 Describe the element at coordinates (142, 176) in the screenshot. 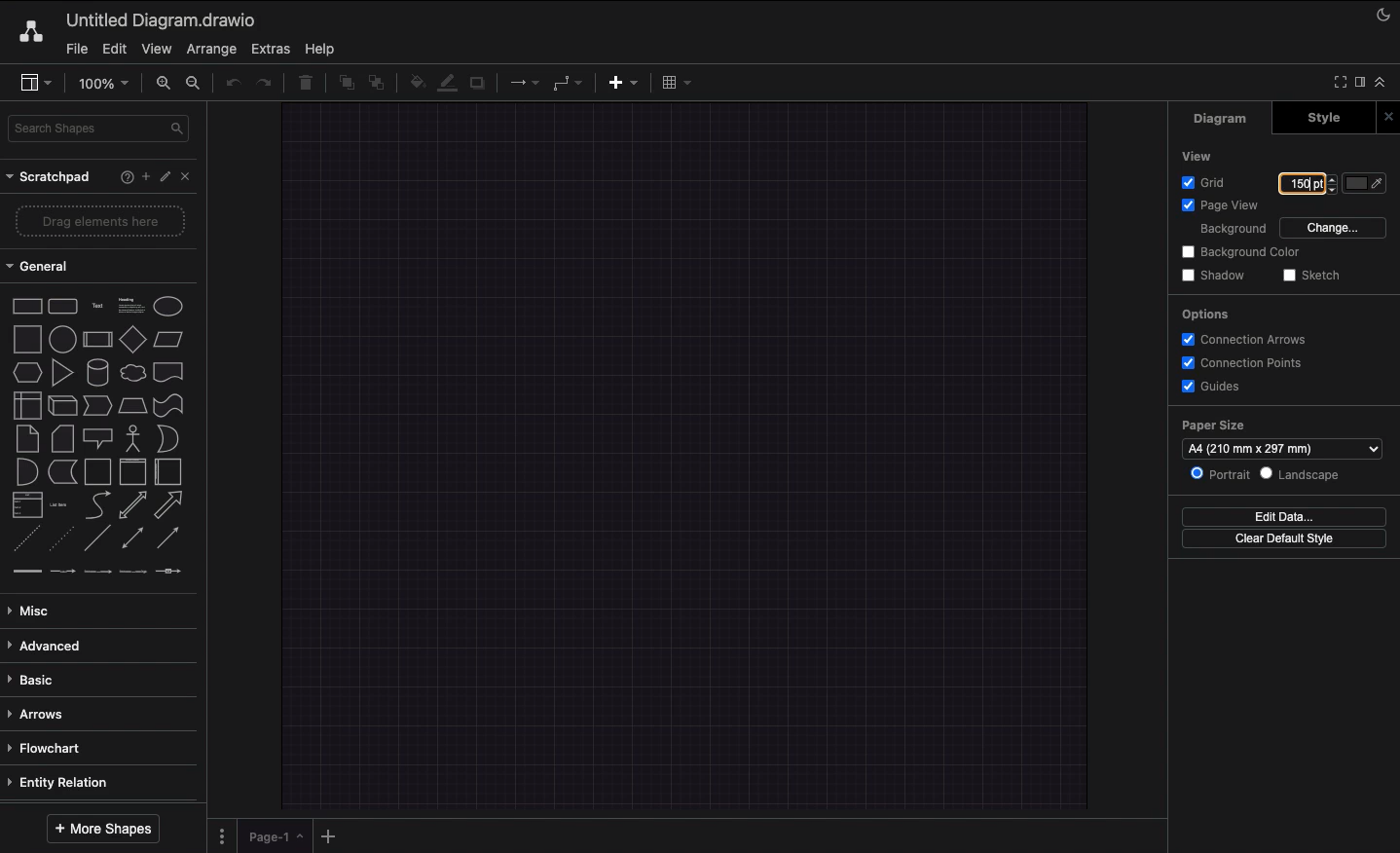

I see `Add` at that location.